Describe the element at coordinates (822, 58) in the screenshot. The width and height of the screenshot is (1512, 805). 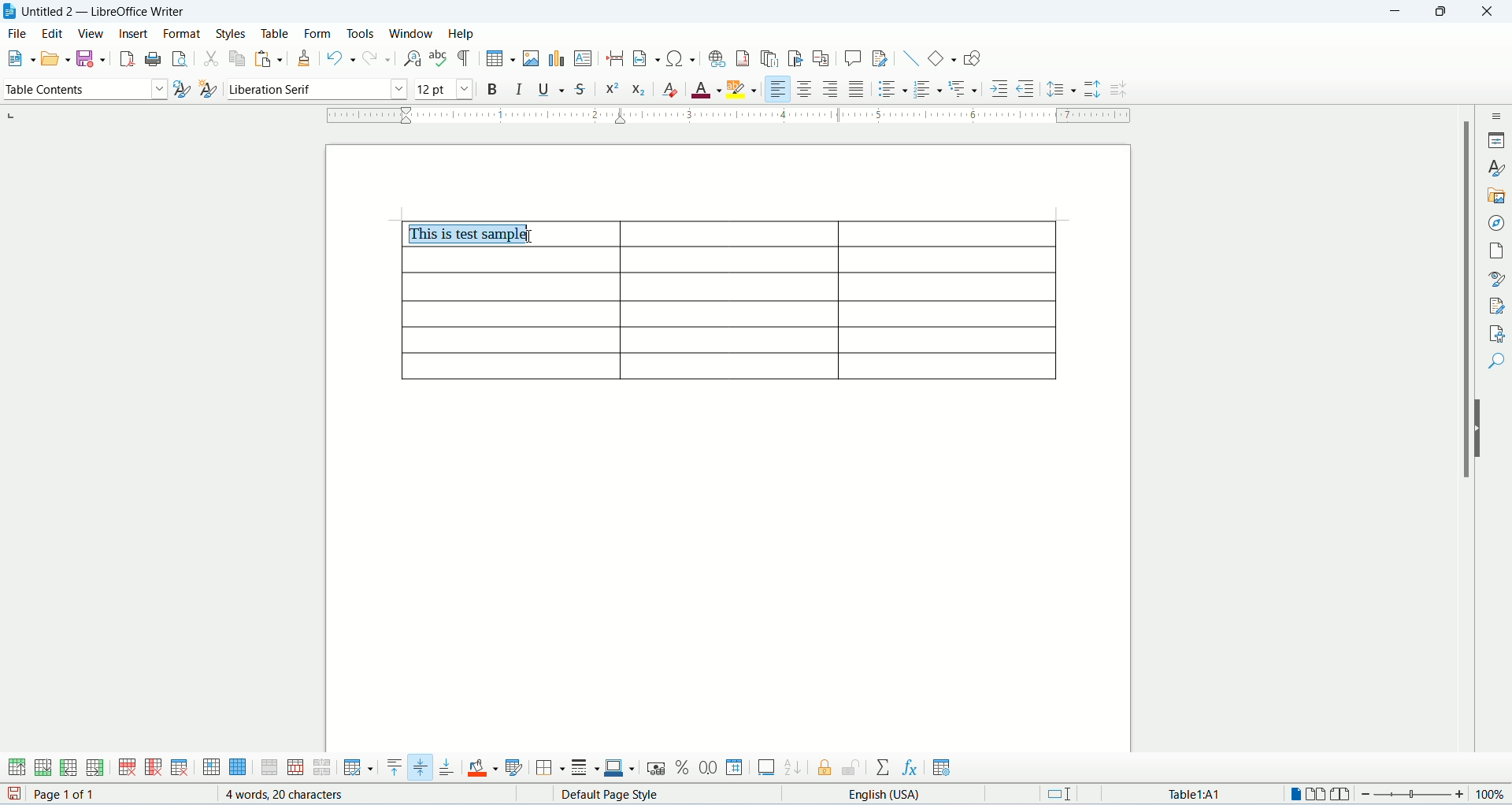
I see `insert cross references` at that location.